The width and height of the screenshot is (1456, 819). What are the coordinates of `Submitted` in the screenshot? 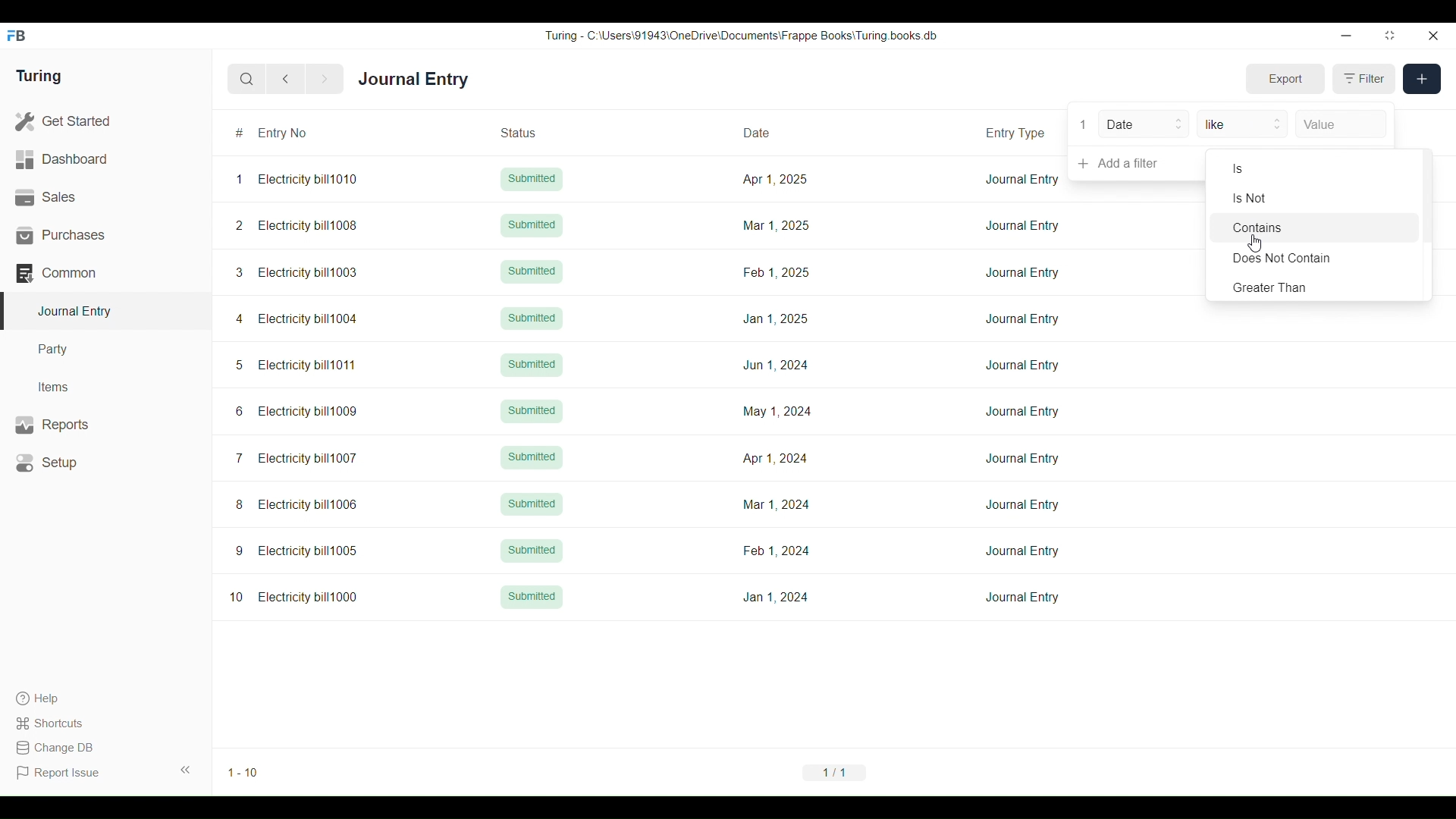 It's located at (532, 272).